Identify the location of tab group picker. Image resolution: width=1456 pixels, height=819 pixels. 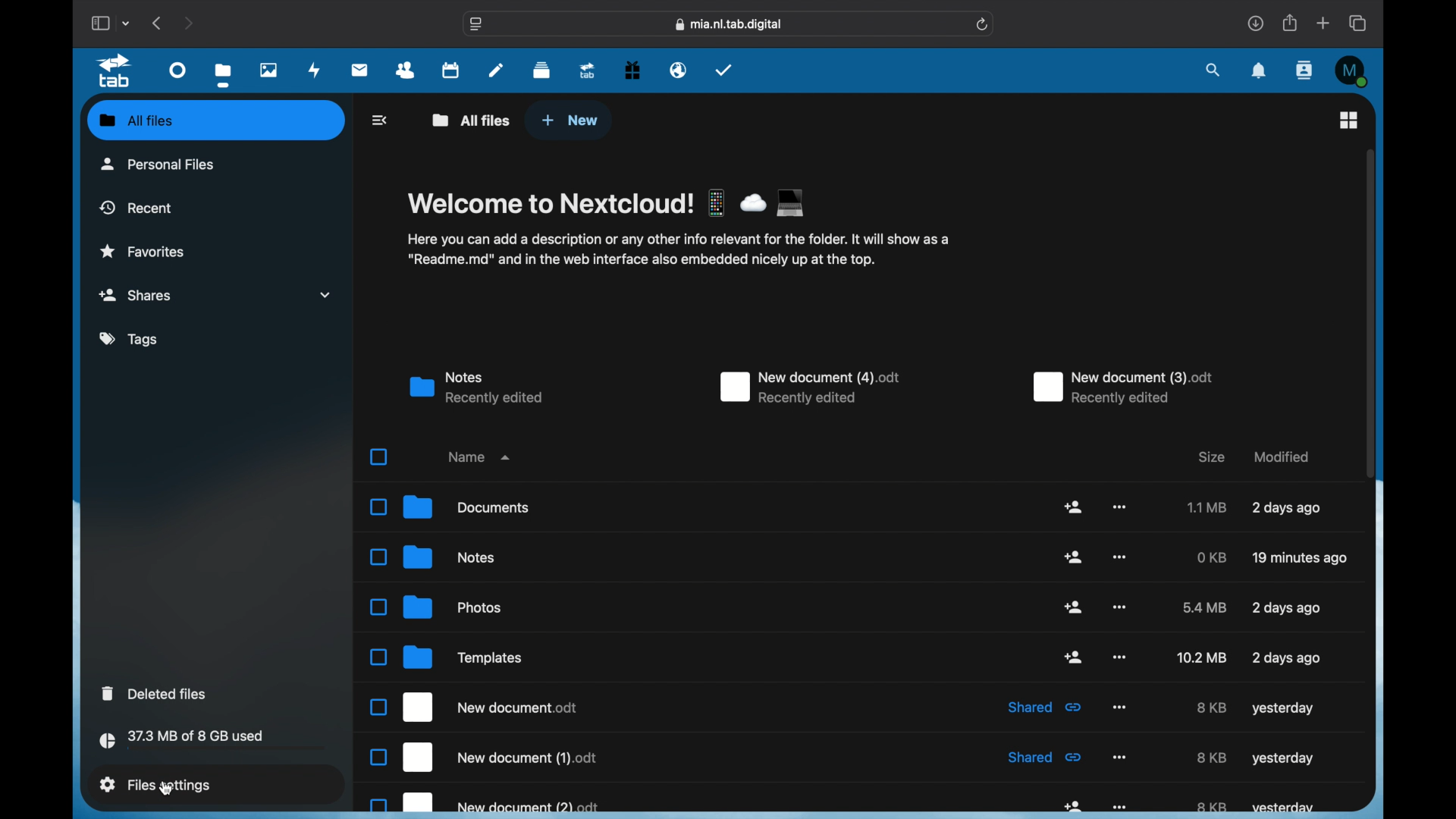
(127, 24).